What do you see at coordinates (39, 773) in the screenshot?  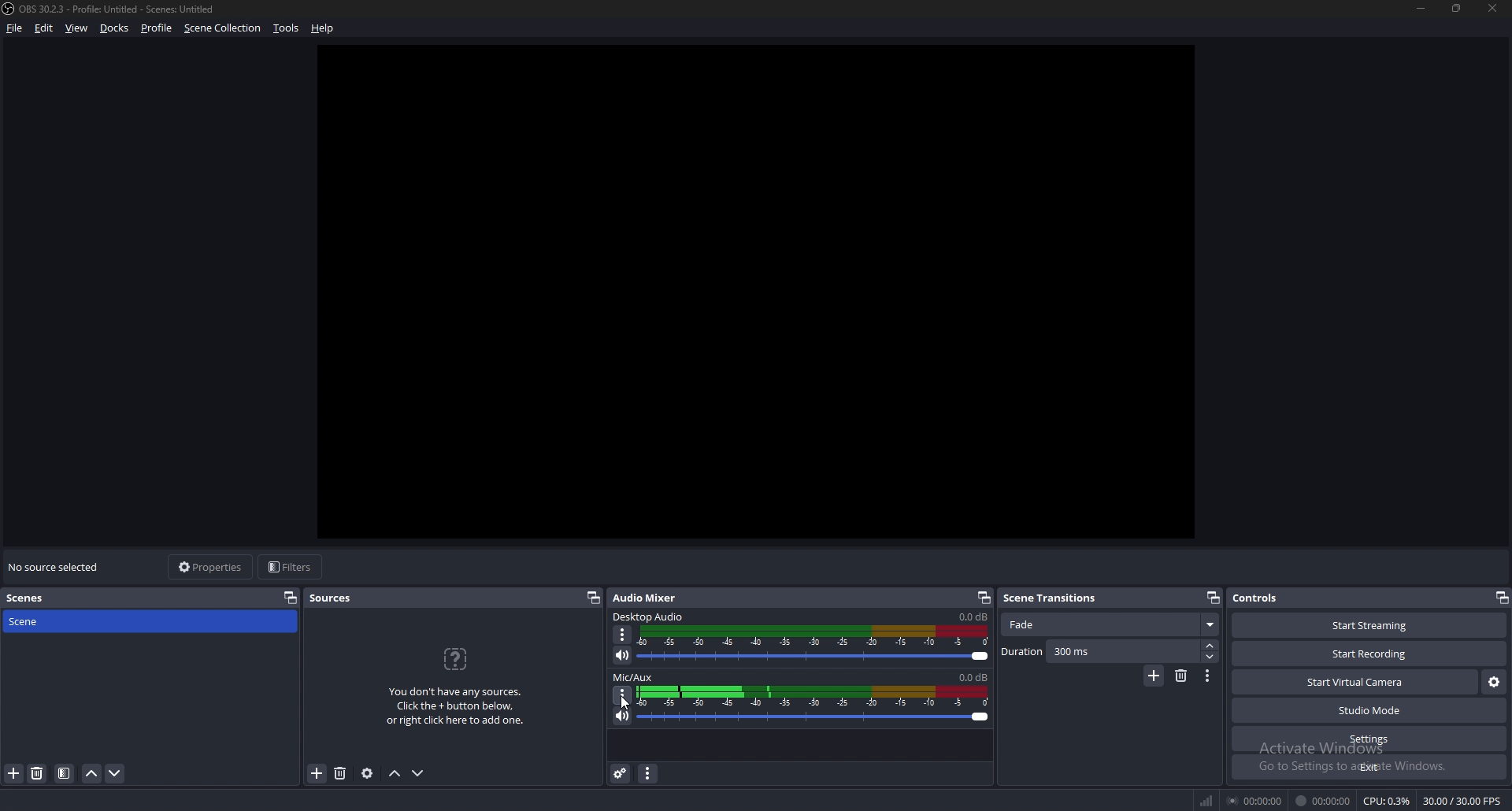 I see `delete scene` at bounding box center [39, 773].